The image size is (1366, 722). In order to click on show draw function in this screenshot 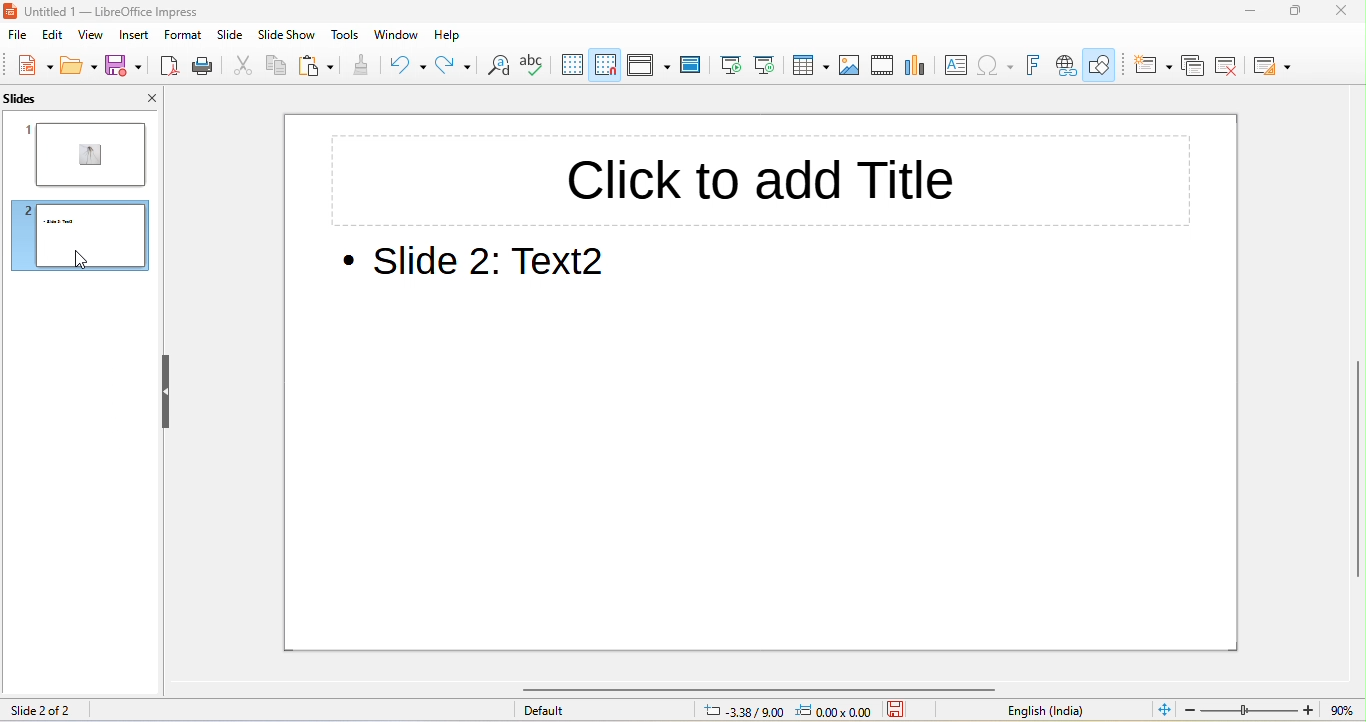, I will do `click(1105, 63)`.